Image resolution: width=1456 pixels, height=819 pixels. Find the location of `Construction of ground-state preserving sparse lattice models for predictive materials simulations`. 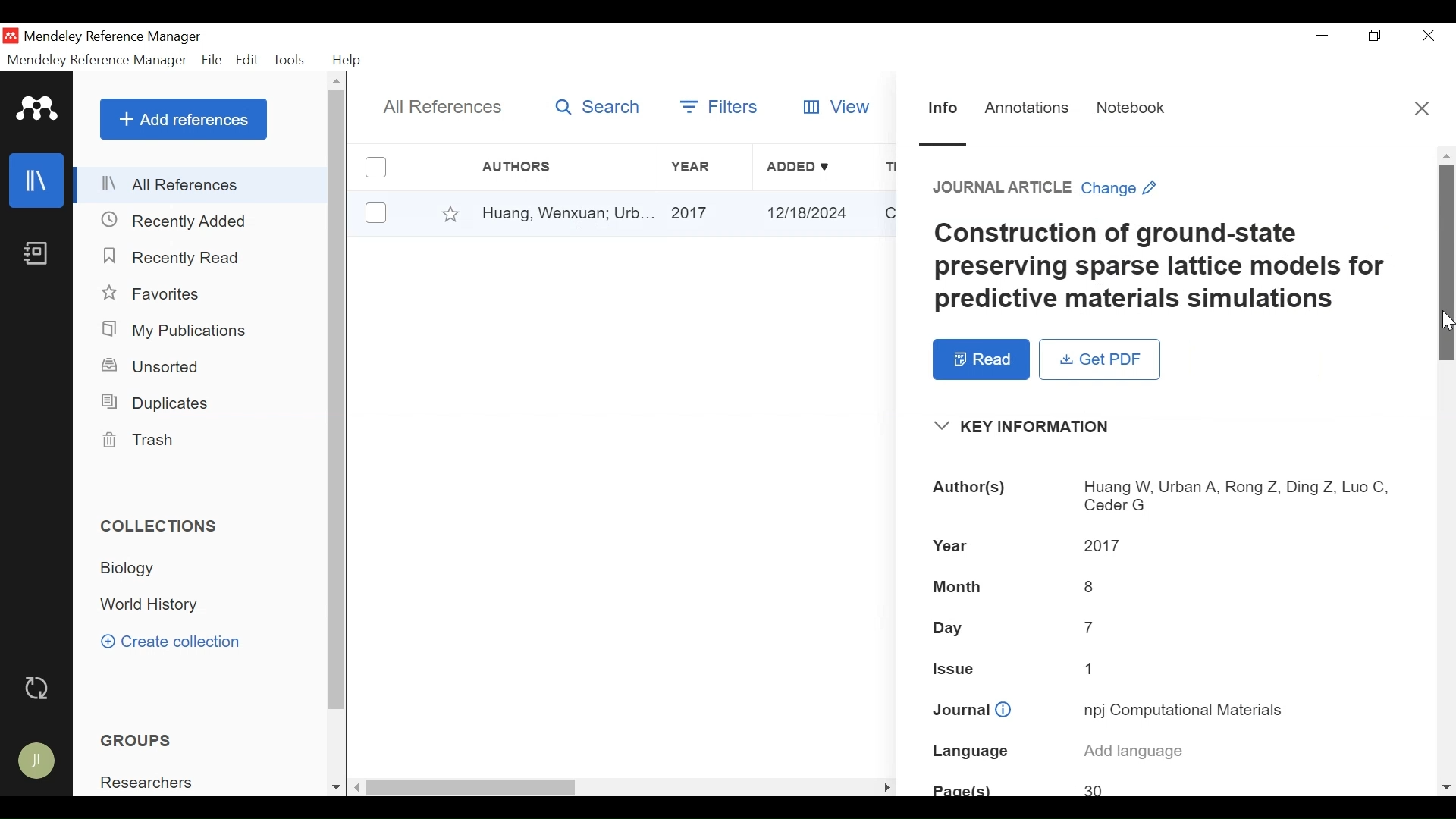

Construction of ground-state preserving sparse lattice models for predictive materials simulations is located at coordinates (1162, 267).